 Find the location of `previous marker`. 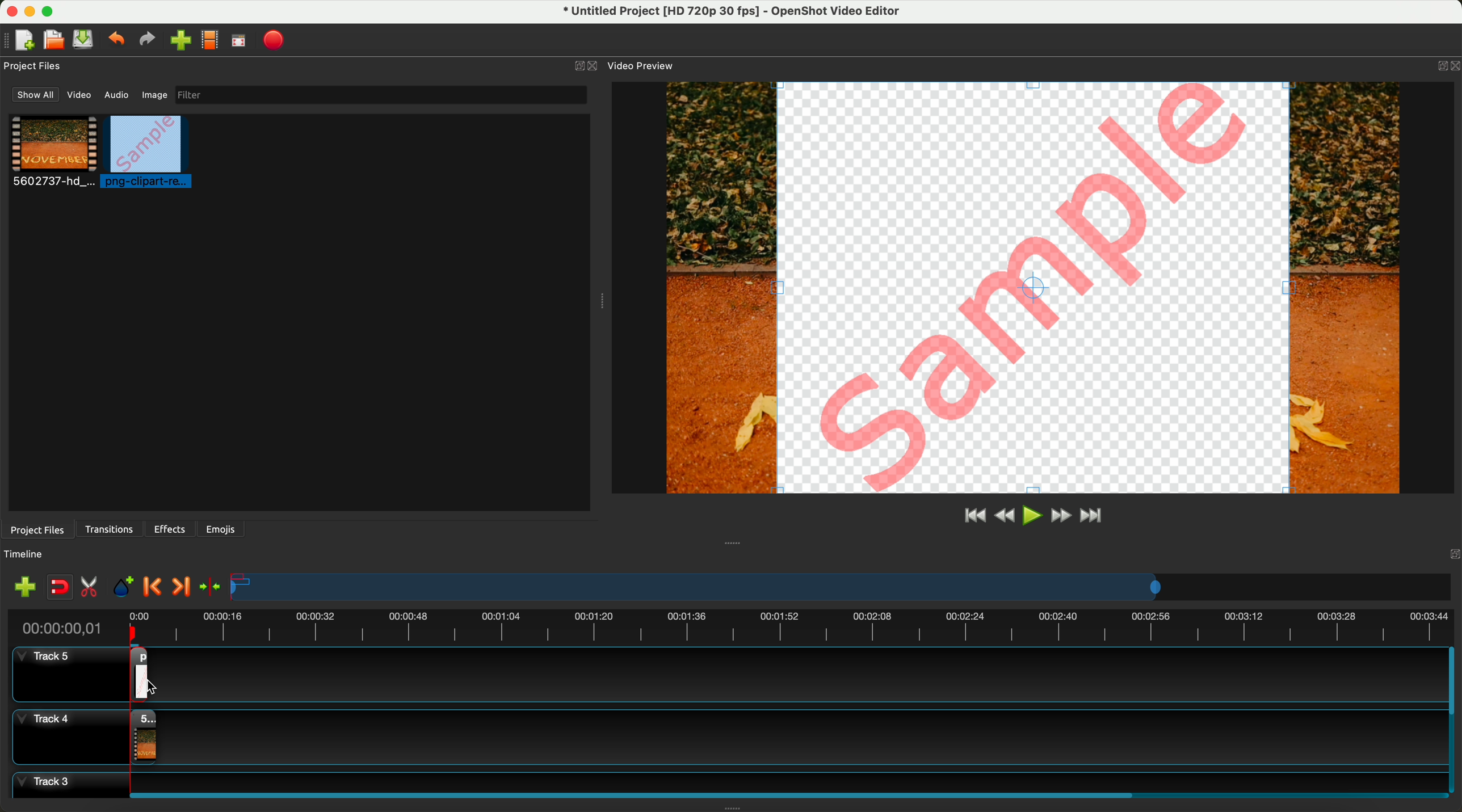

previous marker is located at coordinates (156, 587).